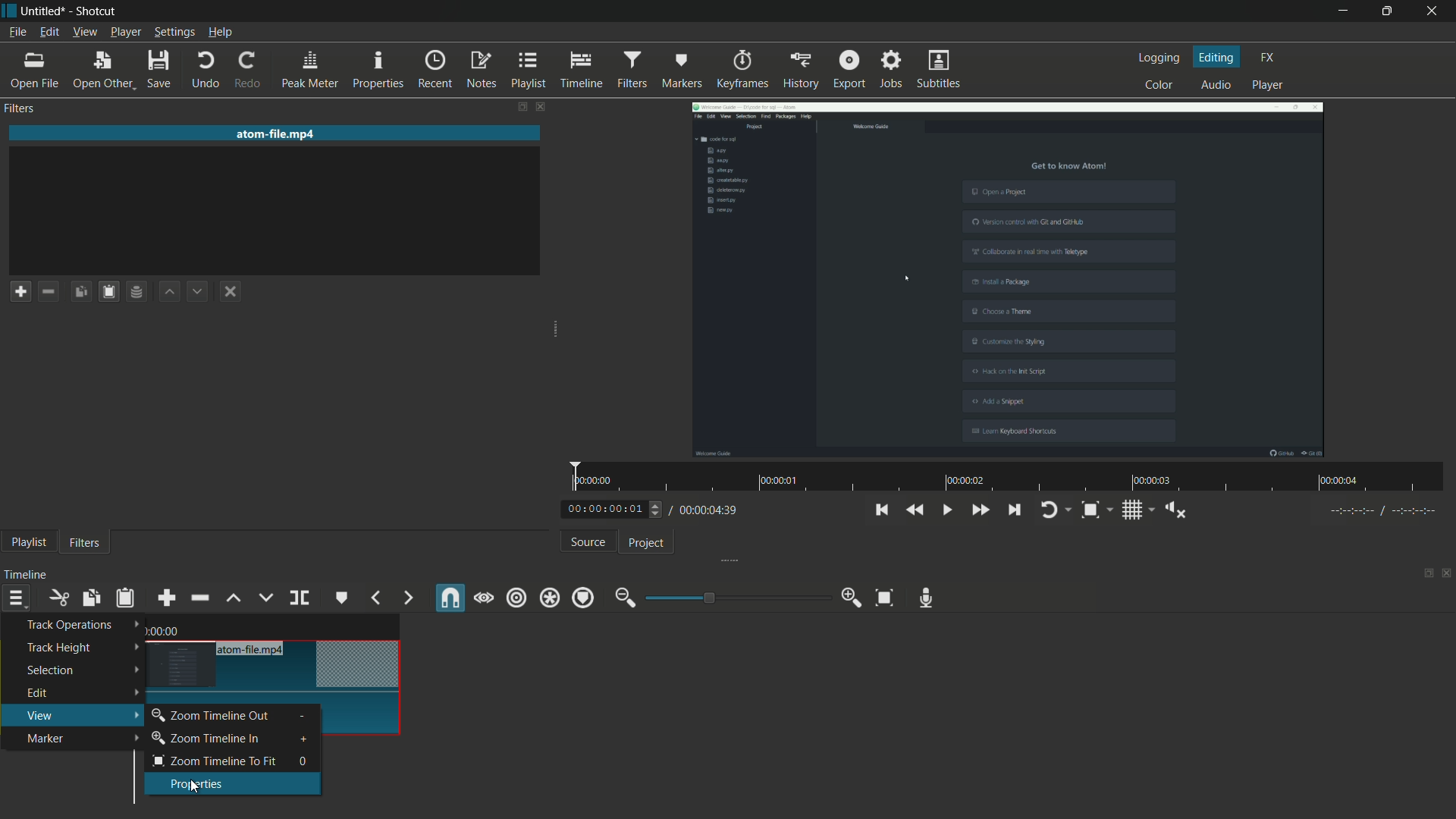 The width and height of the screenshot is (1456, 819). What do you see at coordinates (739, 597) in the screenshot?
I see `adjustment bar` at bounding box center [739, 597].